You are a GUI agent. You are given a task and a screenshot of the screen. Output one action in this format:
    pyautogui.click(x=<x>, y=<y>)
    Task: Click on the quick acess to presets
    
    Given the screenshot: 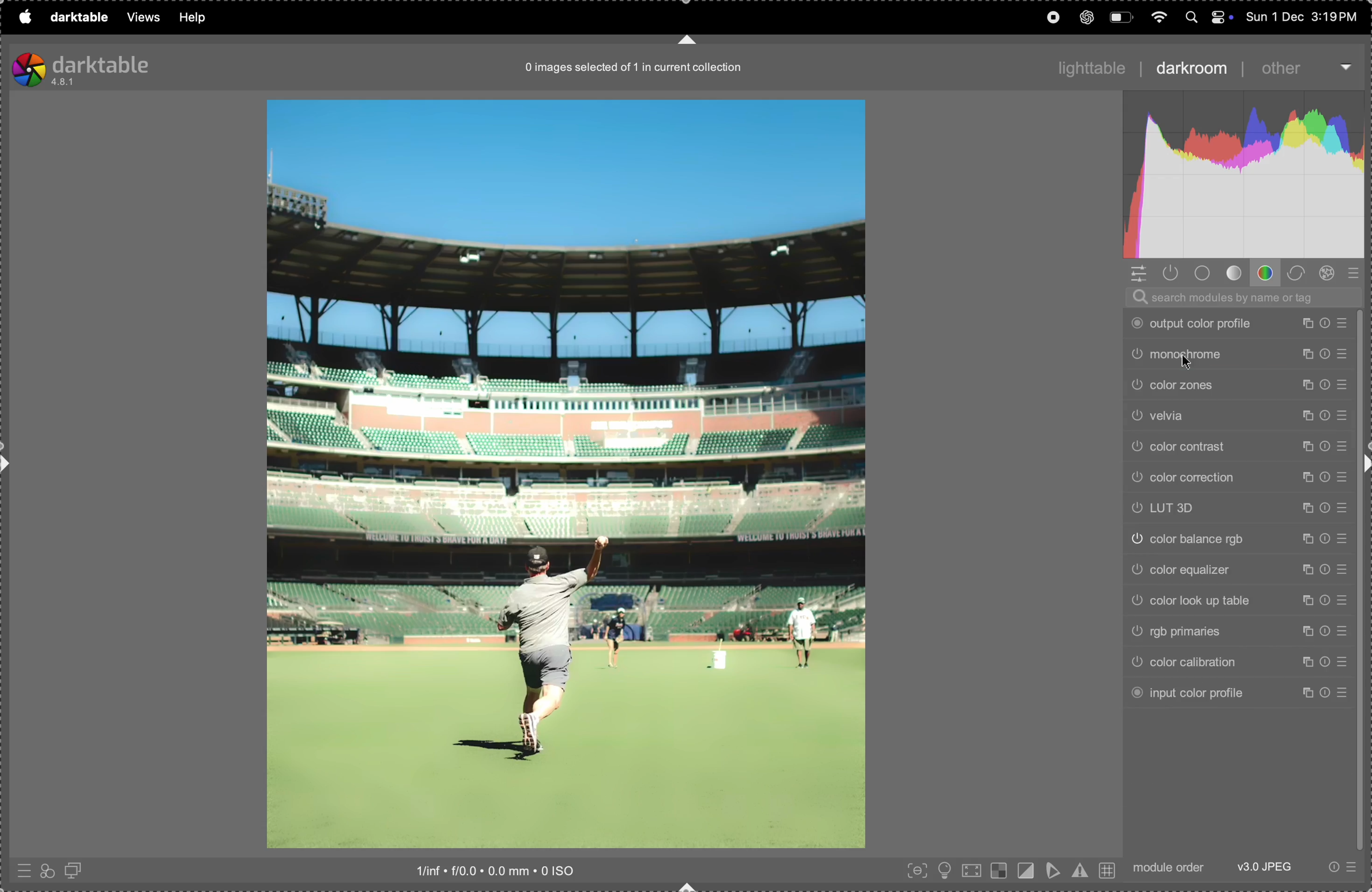 What is the action you would take?
    pyautogui.click(x=22, y=868)
    